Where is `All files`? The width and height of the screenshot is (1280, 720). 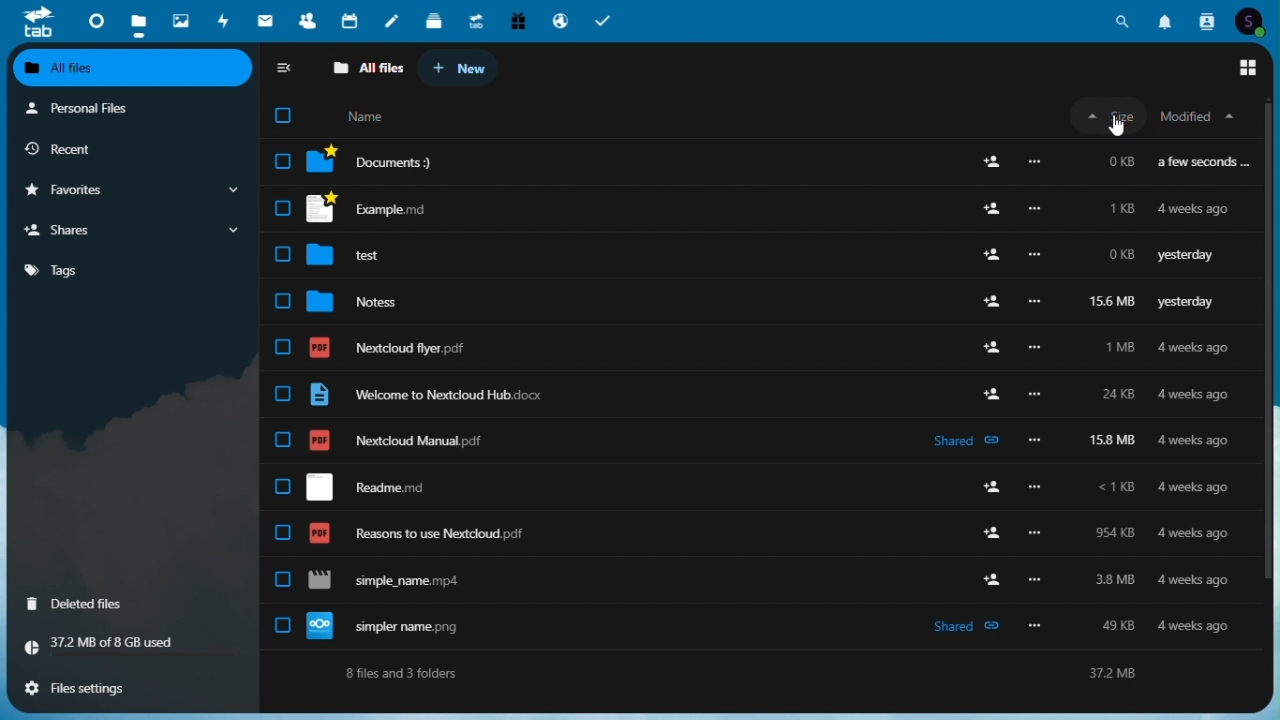 All files is located at coordinates (367, 67).